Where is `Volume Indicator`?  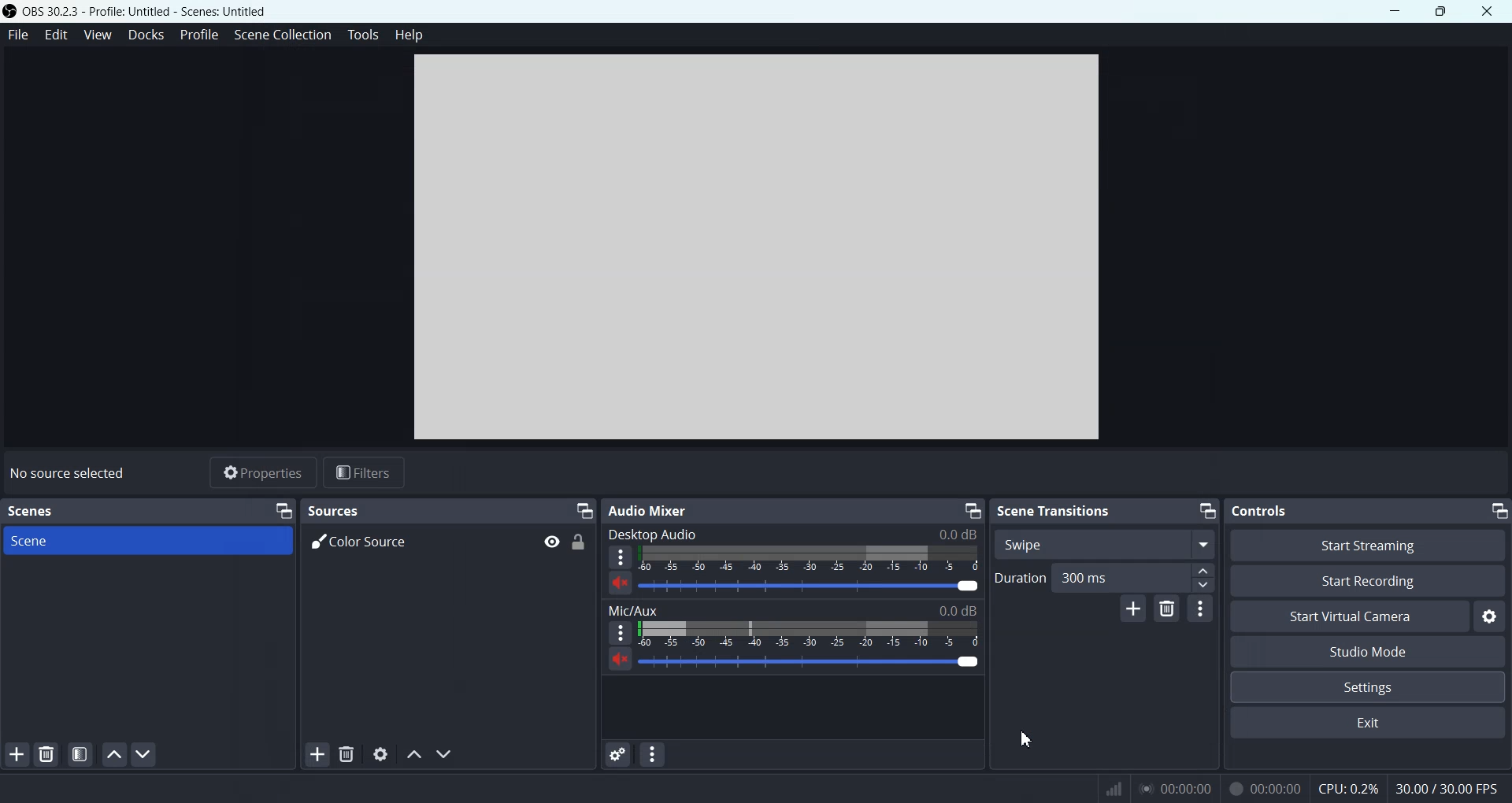 Volume Indicator is located at coordinates (810, 557).